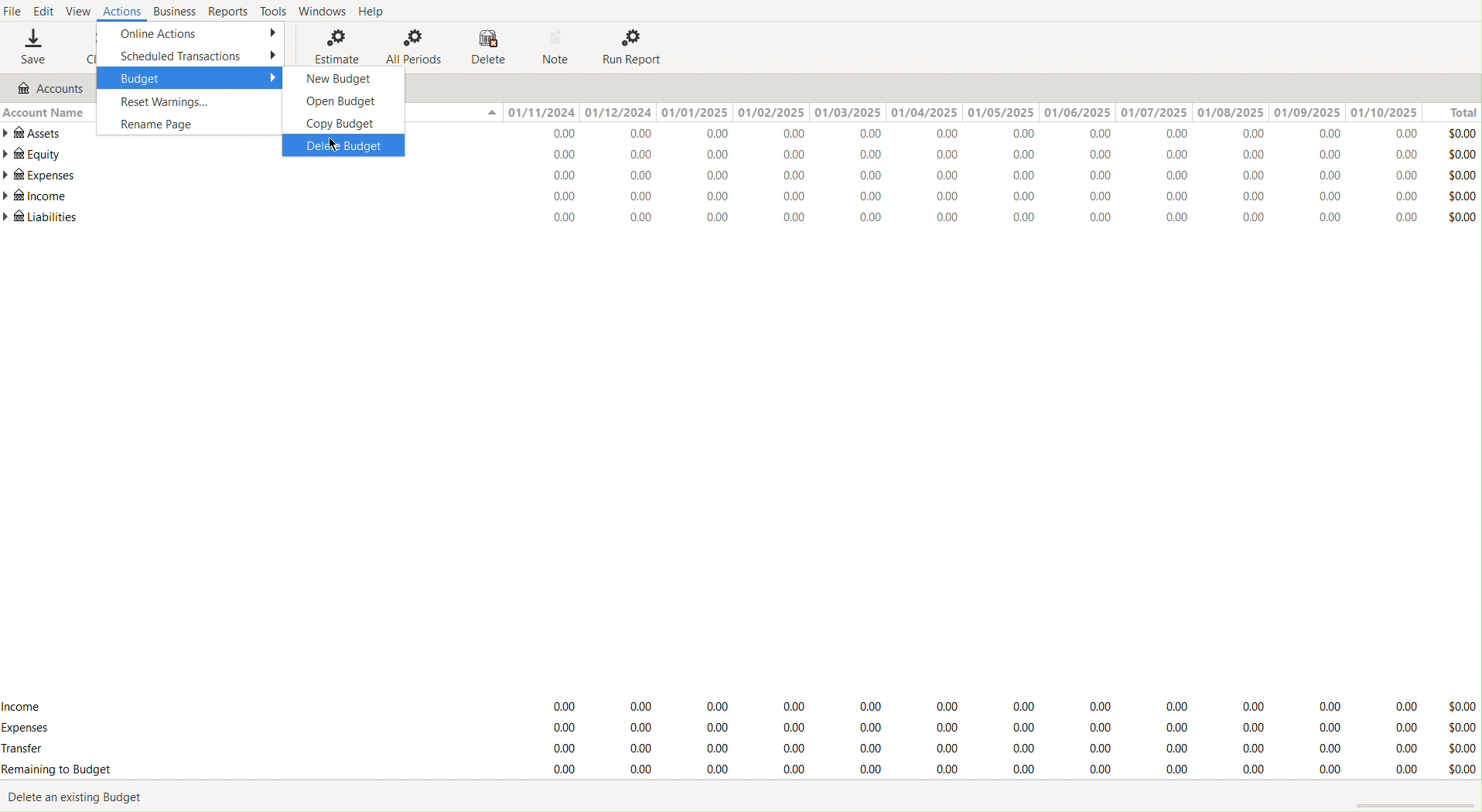 Image resolution: width=1482 pixels, height=812 pixels. Describe the element at coordinates (986, 156) in the screenshot. I see `Equity Values` at that location.